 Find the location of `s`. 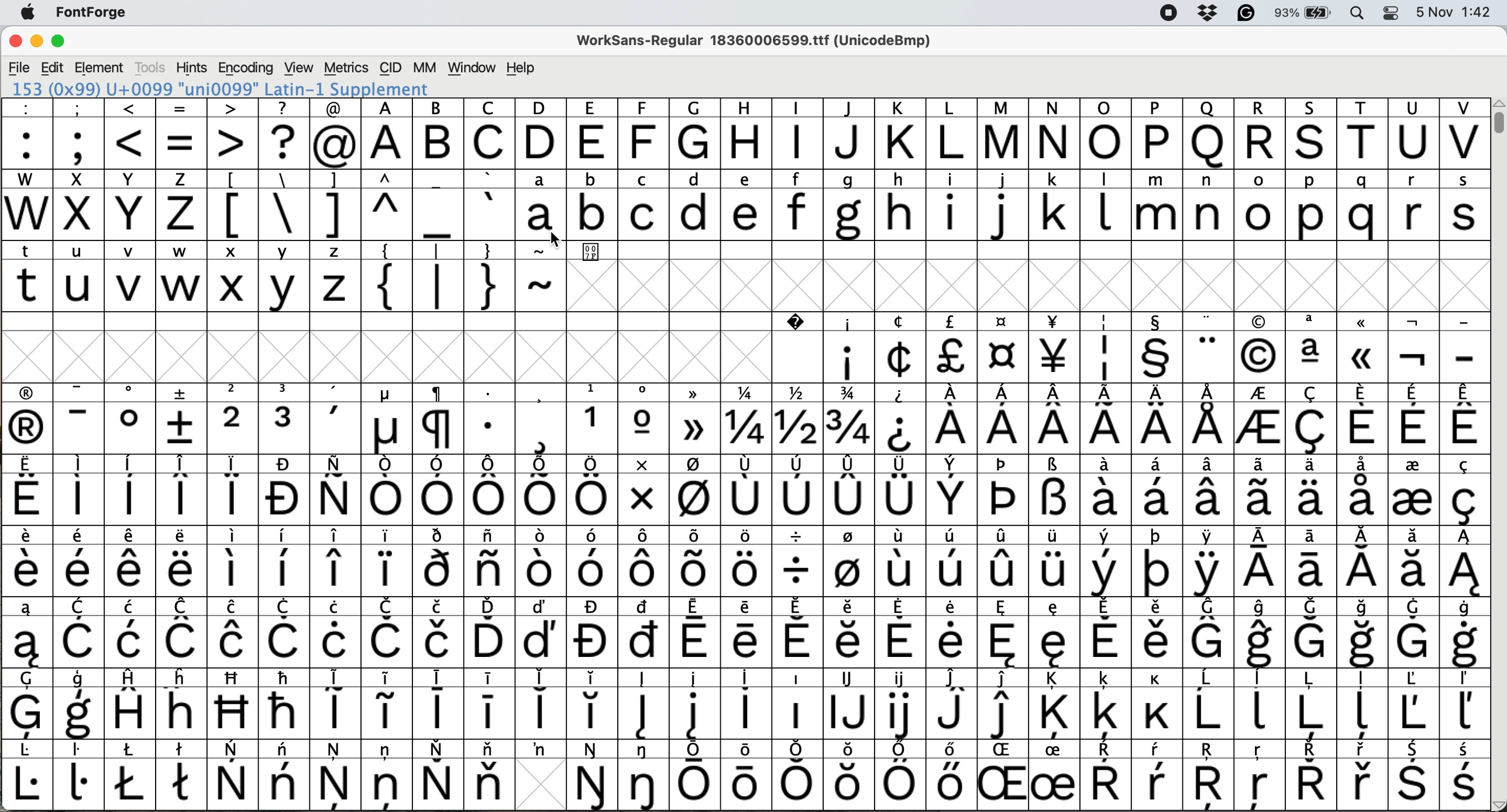

s is located at coordinates (1465, 205).